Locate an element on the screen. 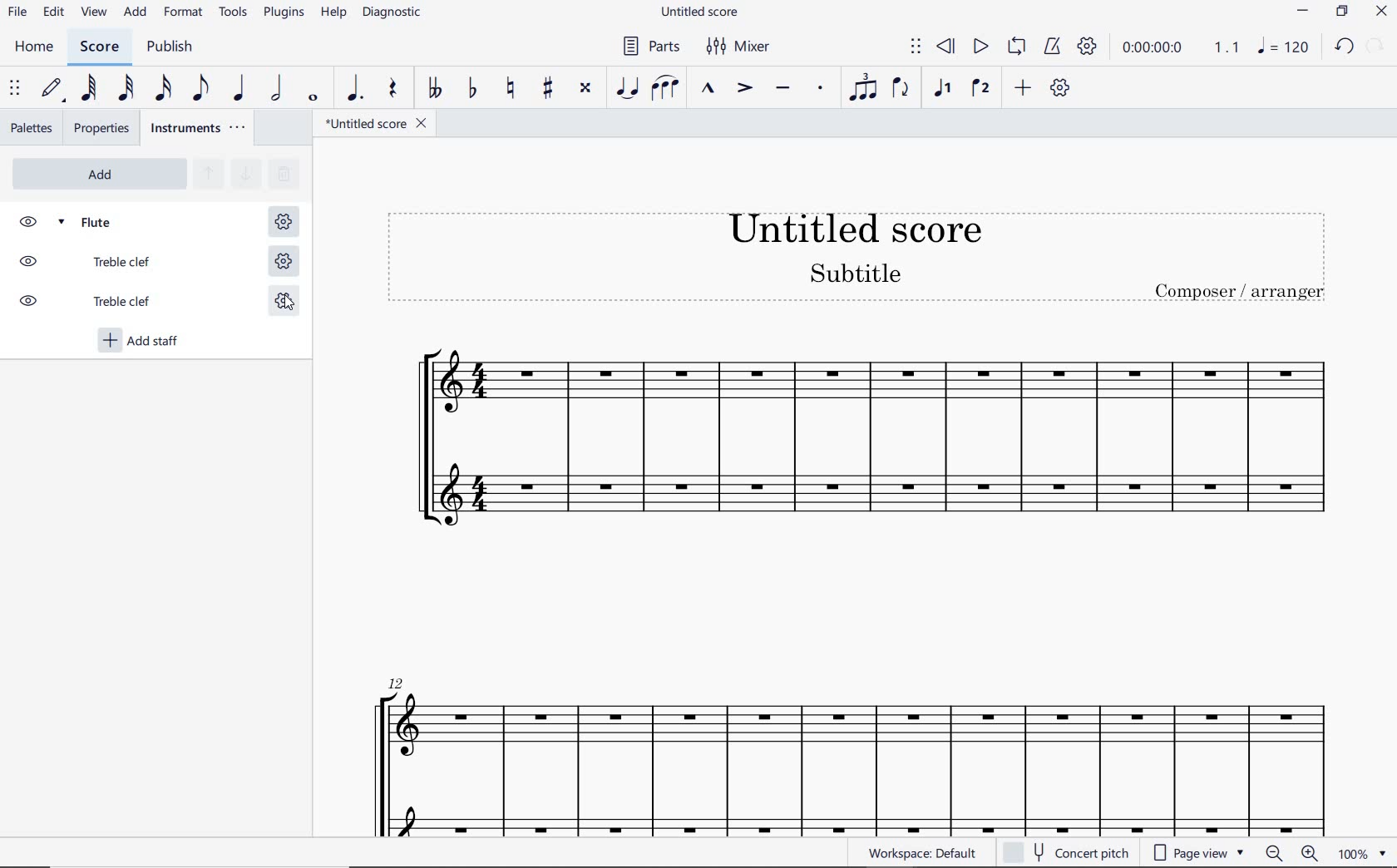  OSSIA STAFF ADDED is located at coordinates (871, 491).